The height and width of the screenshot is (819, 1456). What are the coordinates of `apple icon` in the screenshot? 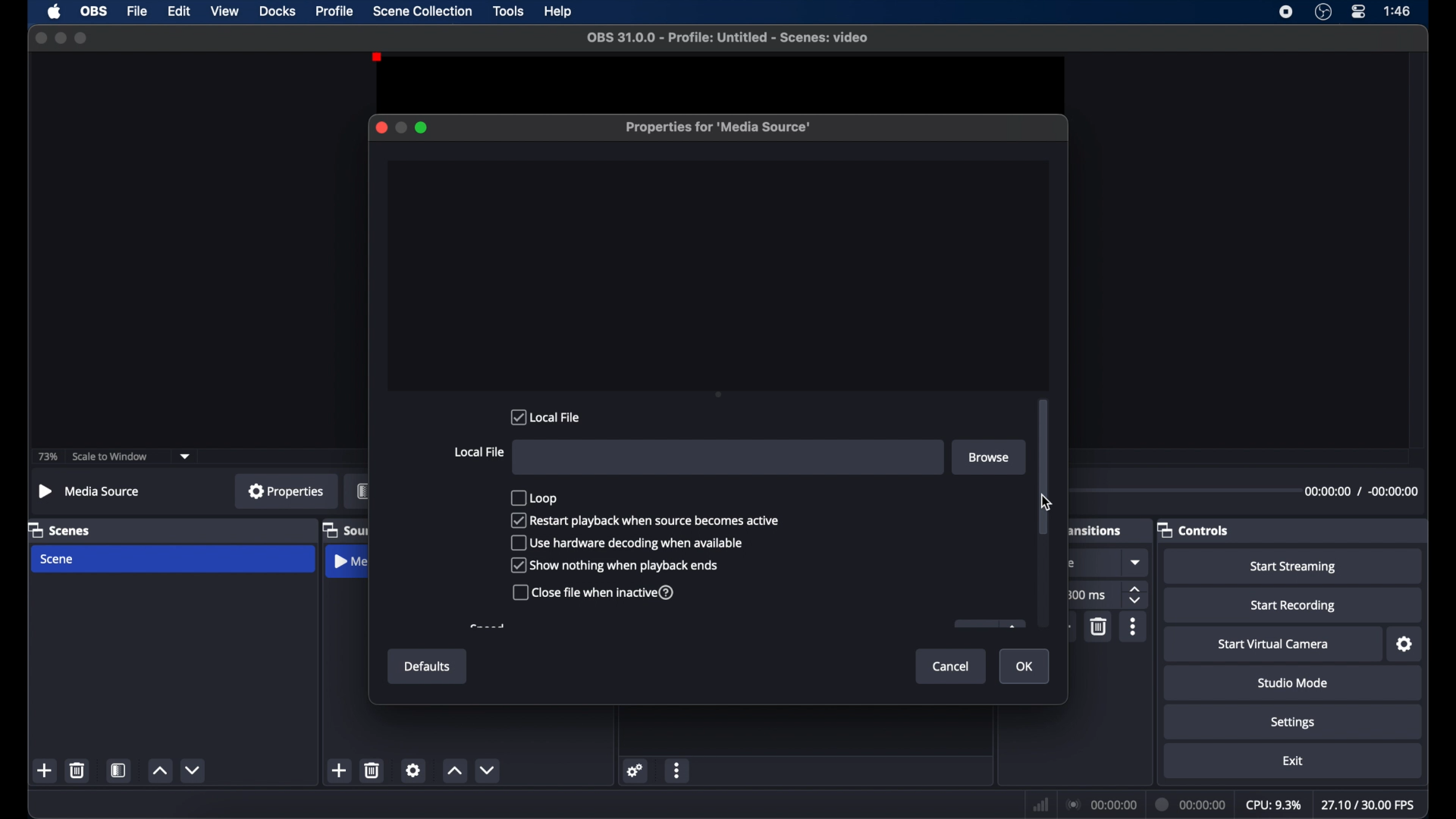 It's located at (56, 11).